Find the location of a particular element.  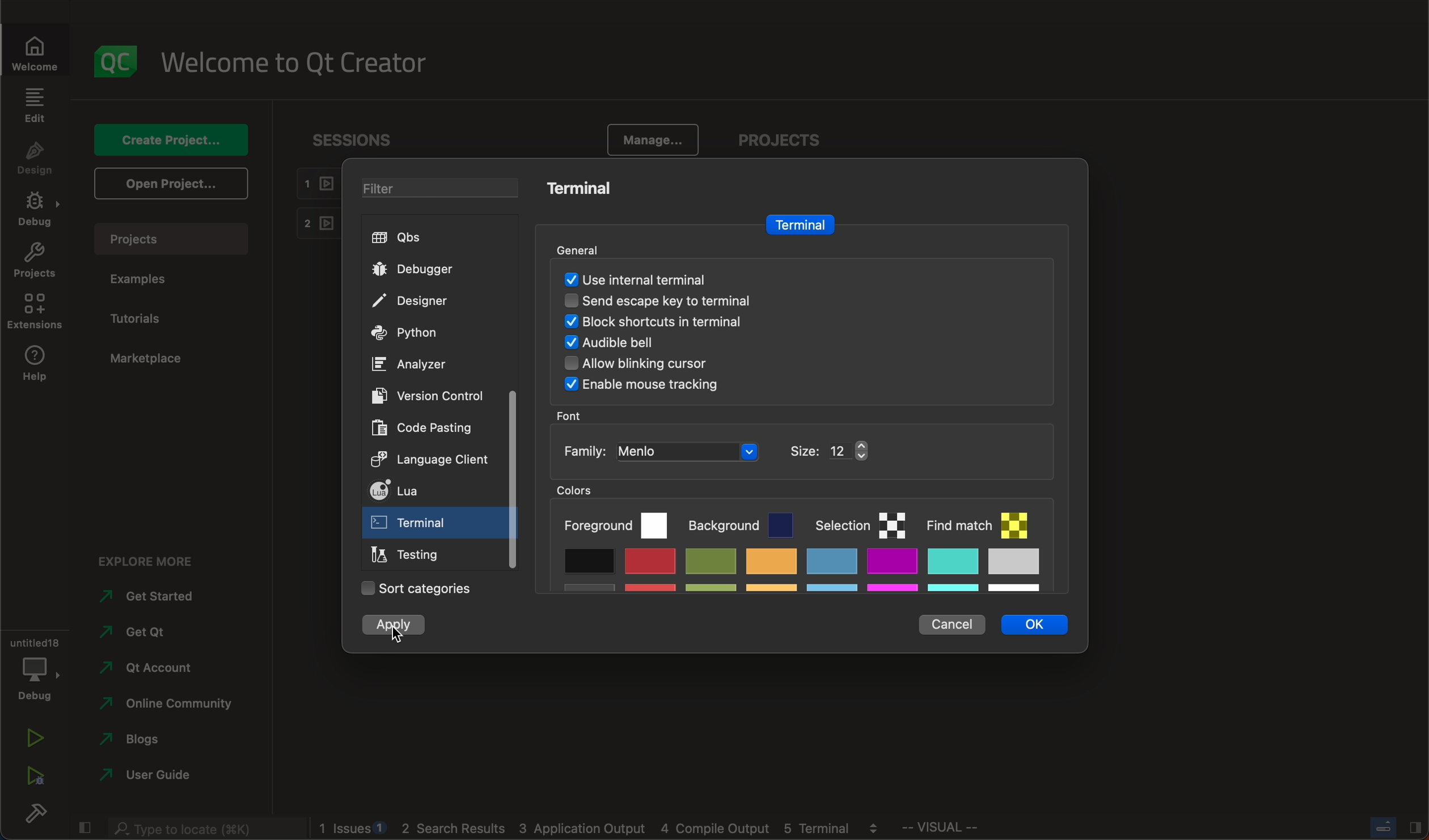

categories is located at coordinates (413, 590).